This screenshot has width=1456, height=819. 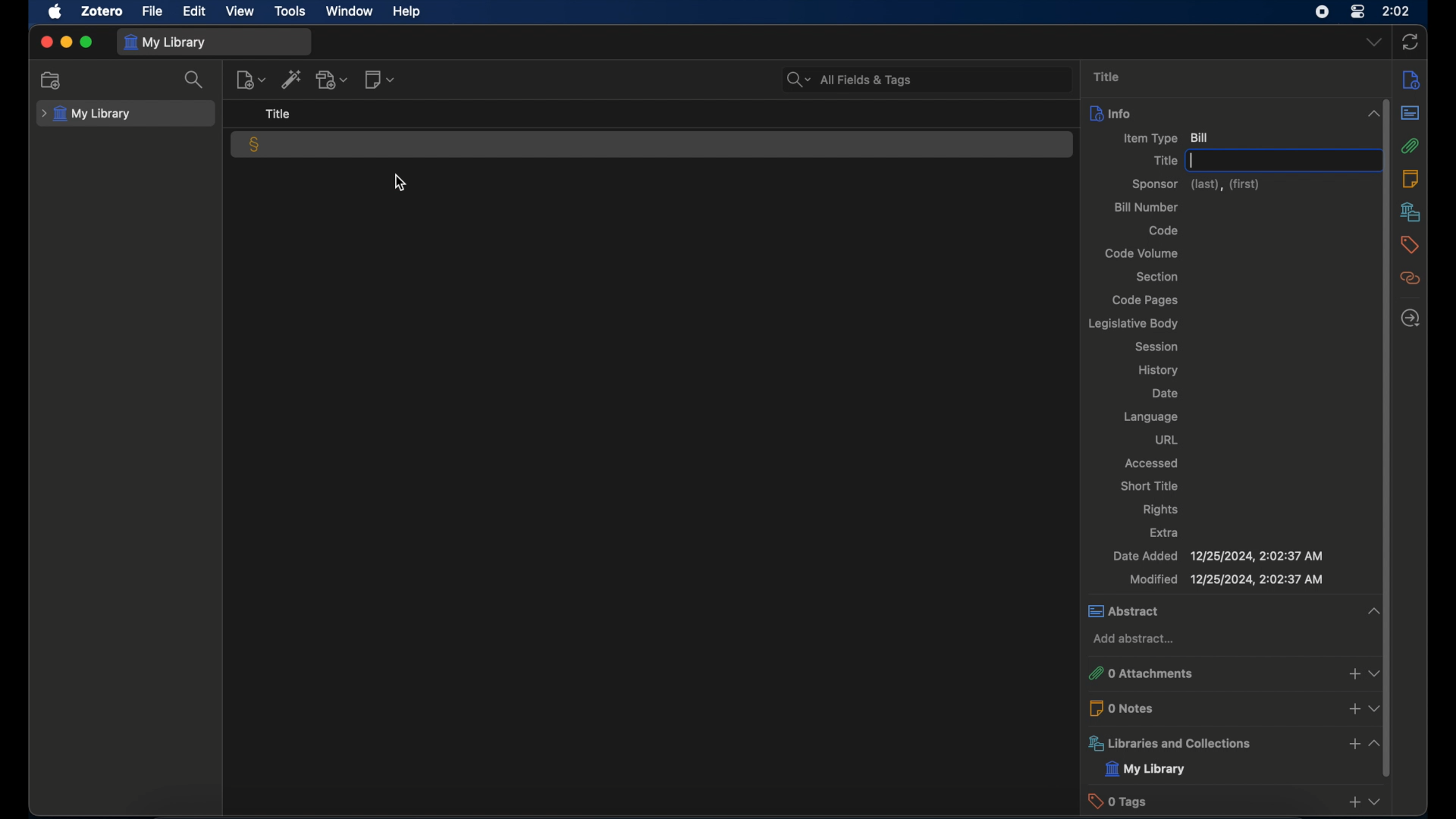 I want to click on my library, so click(x=1146, y=770).